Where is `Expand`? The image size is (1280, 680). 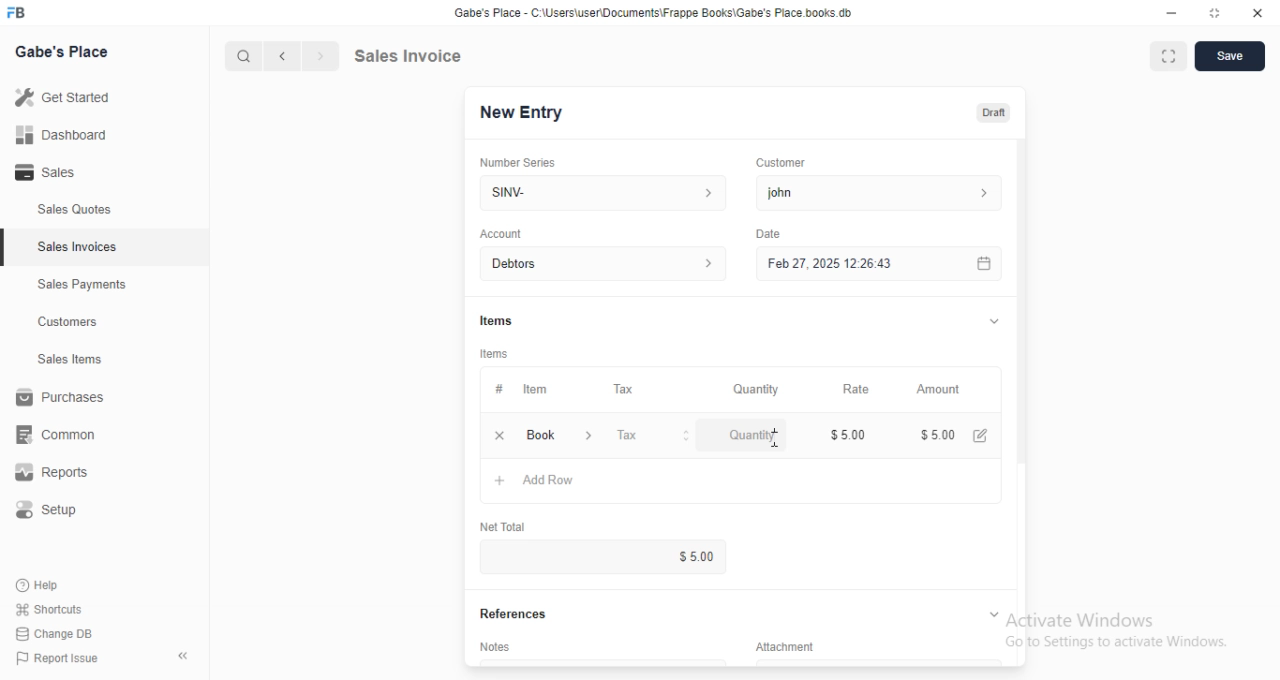 Expand is located at coordinates (1168, 56).